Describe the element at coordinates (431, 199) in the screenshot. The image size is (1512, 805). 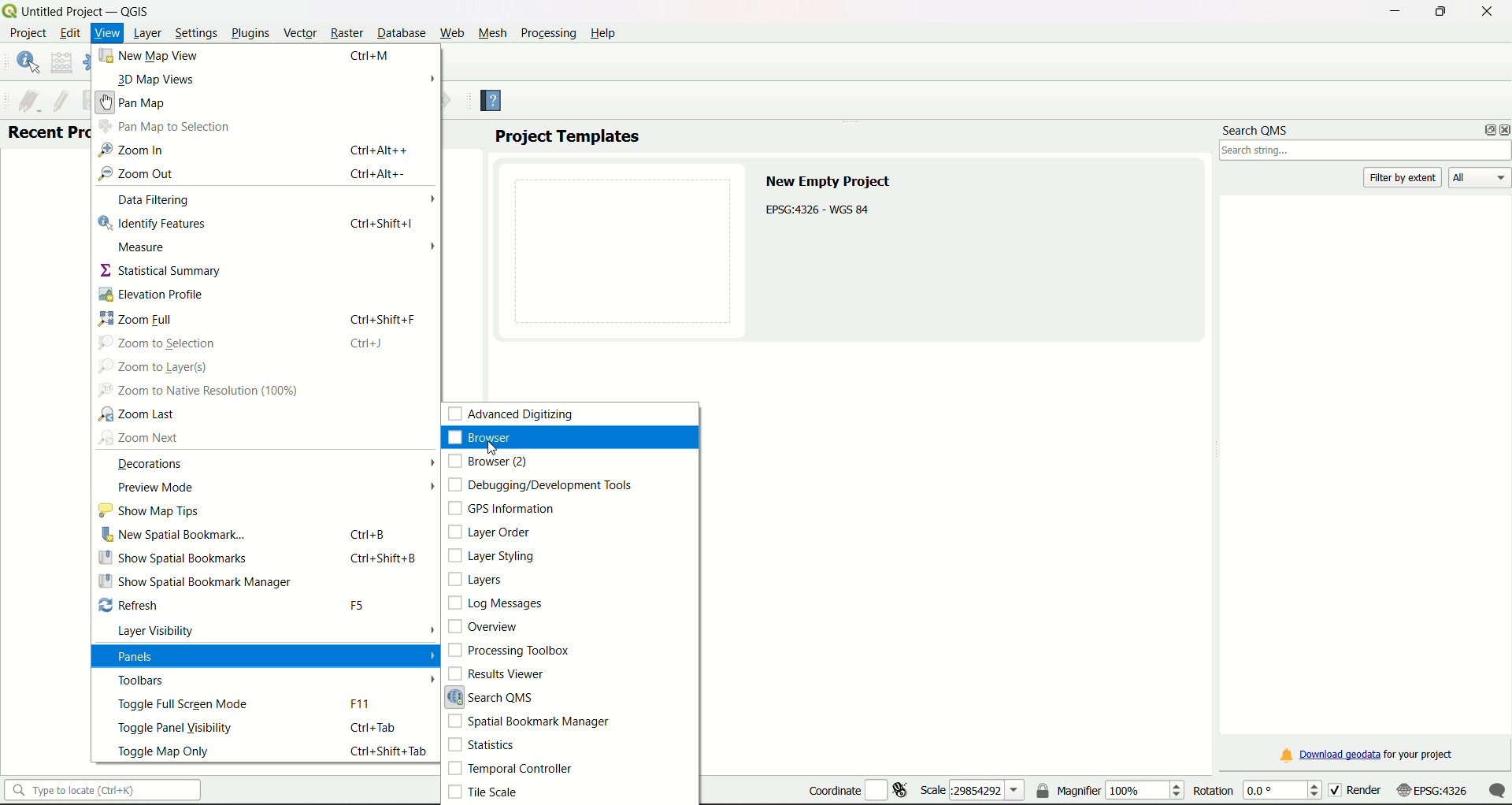
I see `Arrow` at that location.